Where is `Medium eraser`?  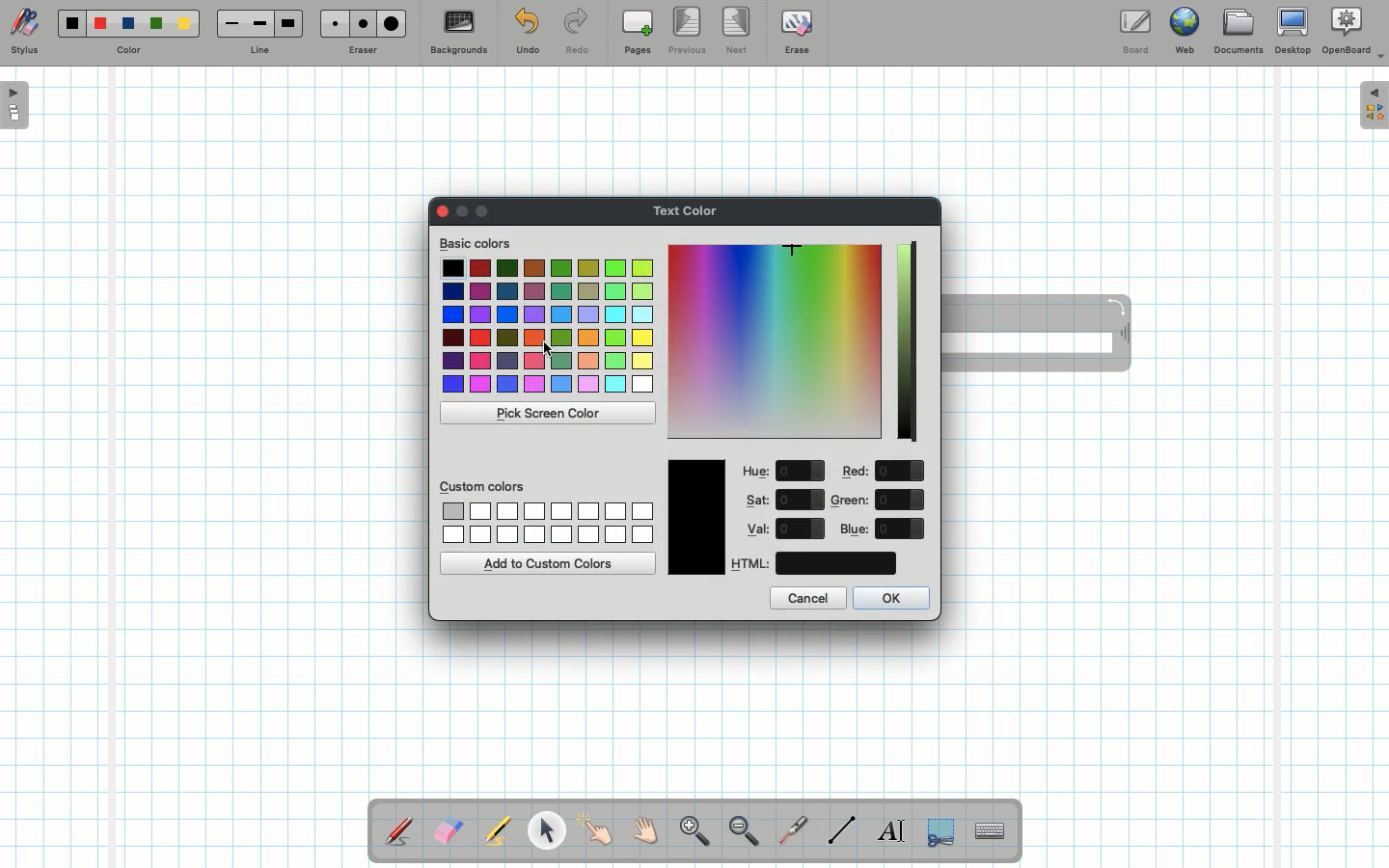 Medium eraser is located at coordinates (360, 23).